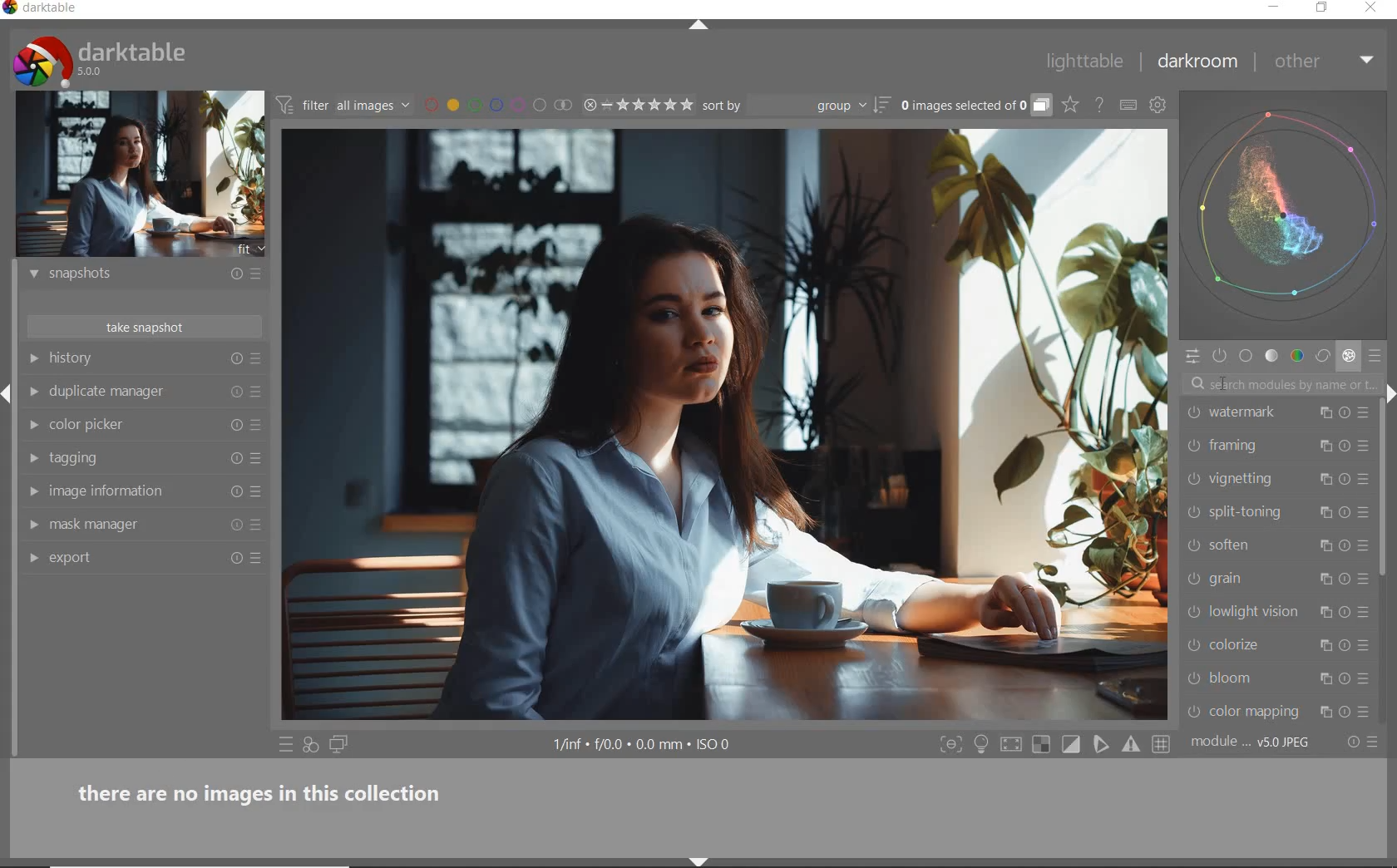  I want to click on sort, so click(795, 106).